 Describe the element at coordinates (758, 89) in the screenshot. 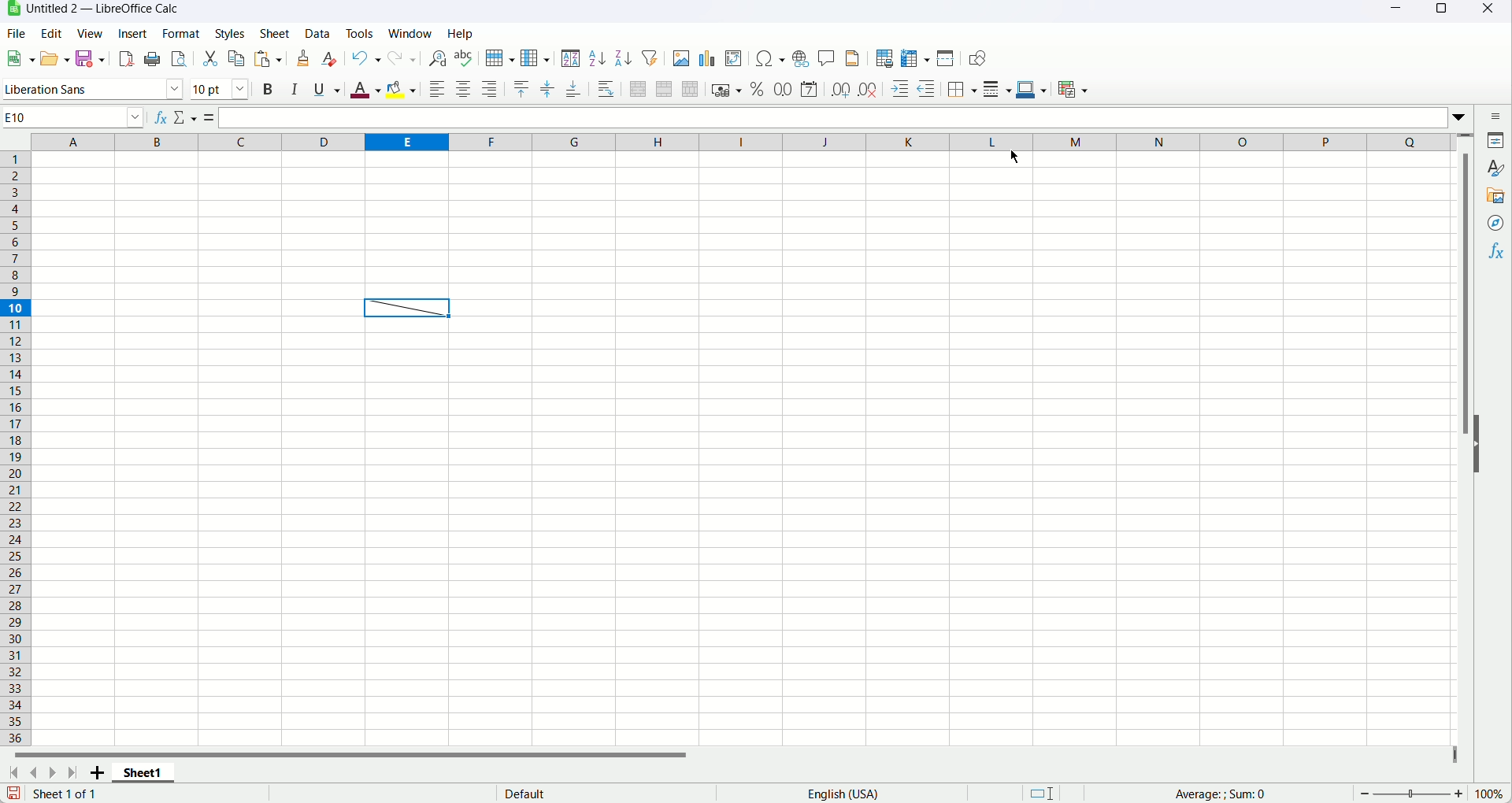

I see `Format as percent` at that location.